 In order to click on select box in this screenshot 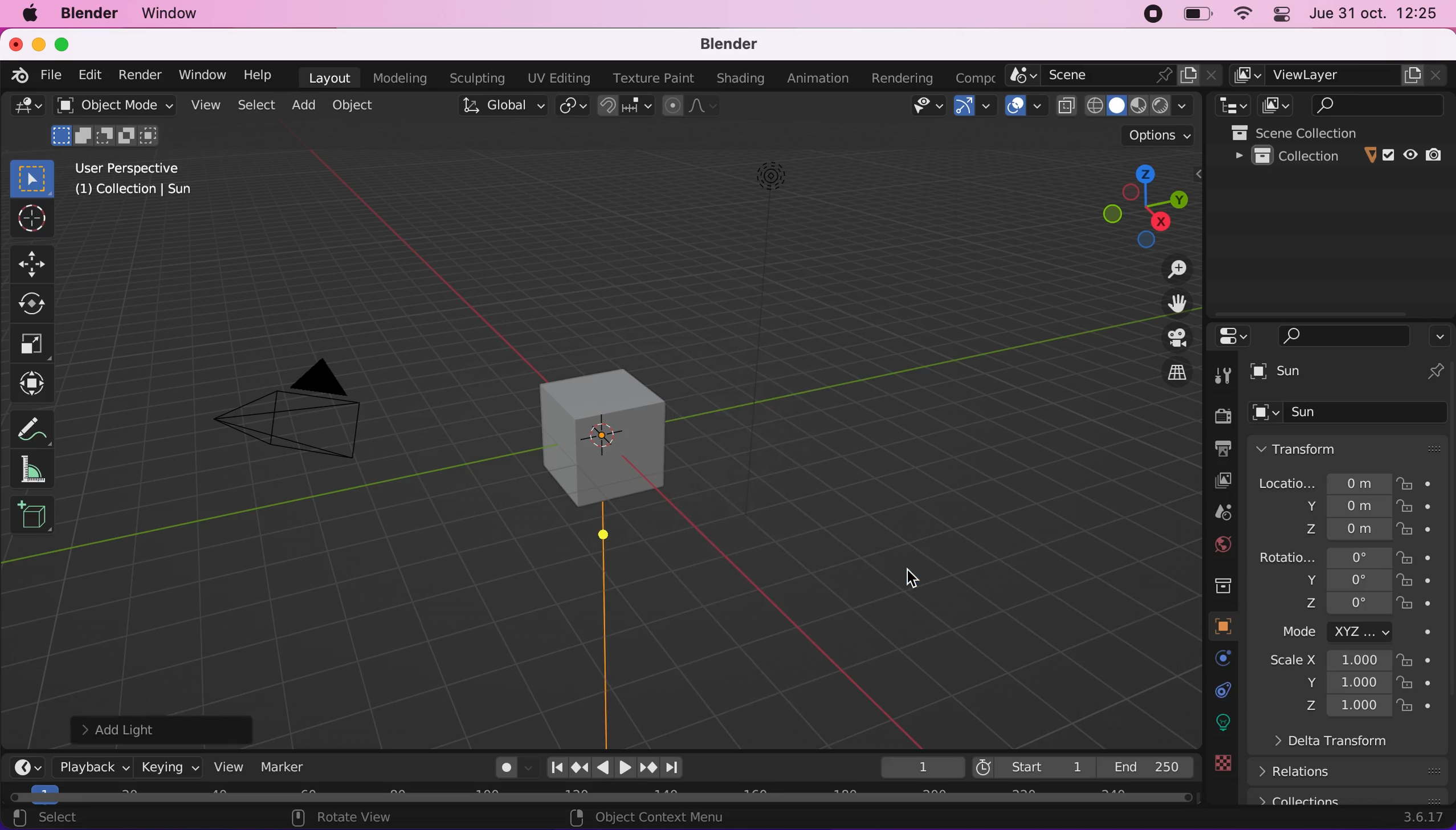, I will do `click(31, 176)`.